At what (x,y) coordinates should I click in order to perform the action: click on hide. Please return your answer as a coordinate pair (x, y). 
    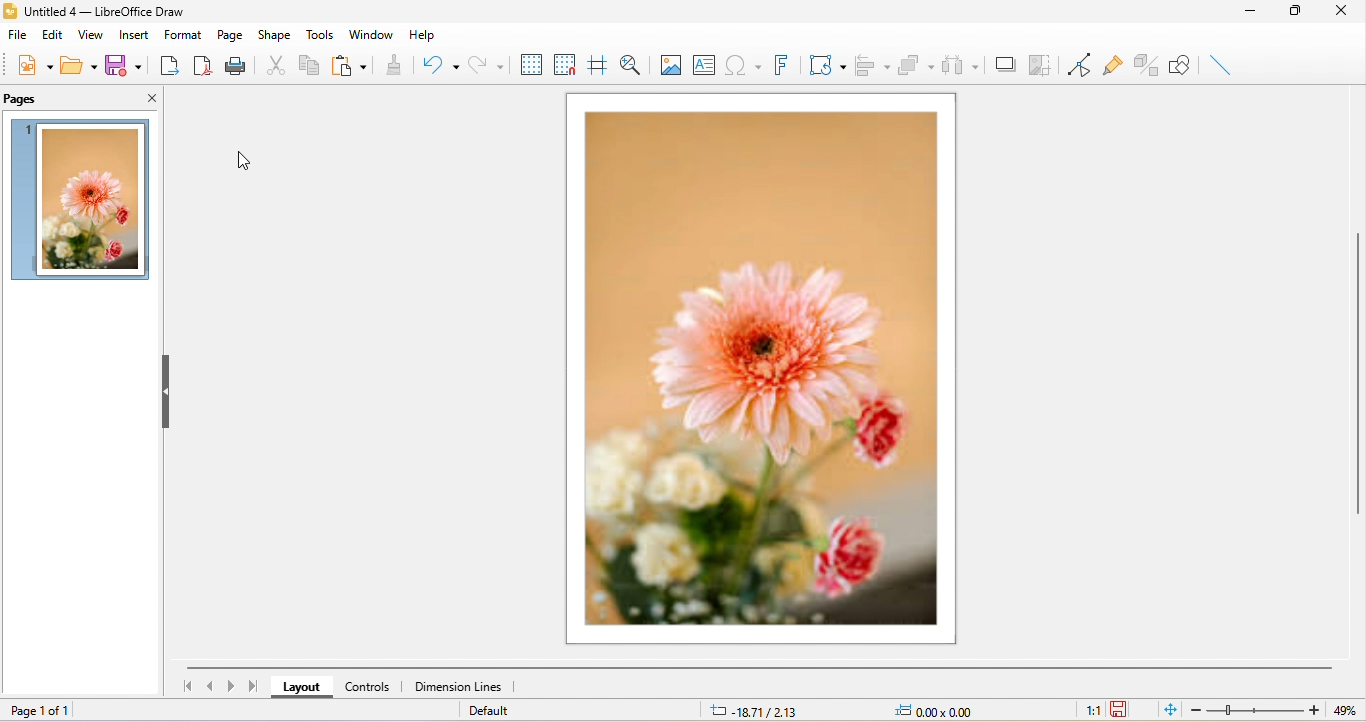
    Looking at the image, I should click on (164, 392).